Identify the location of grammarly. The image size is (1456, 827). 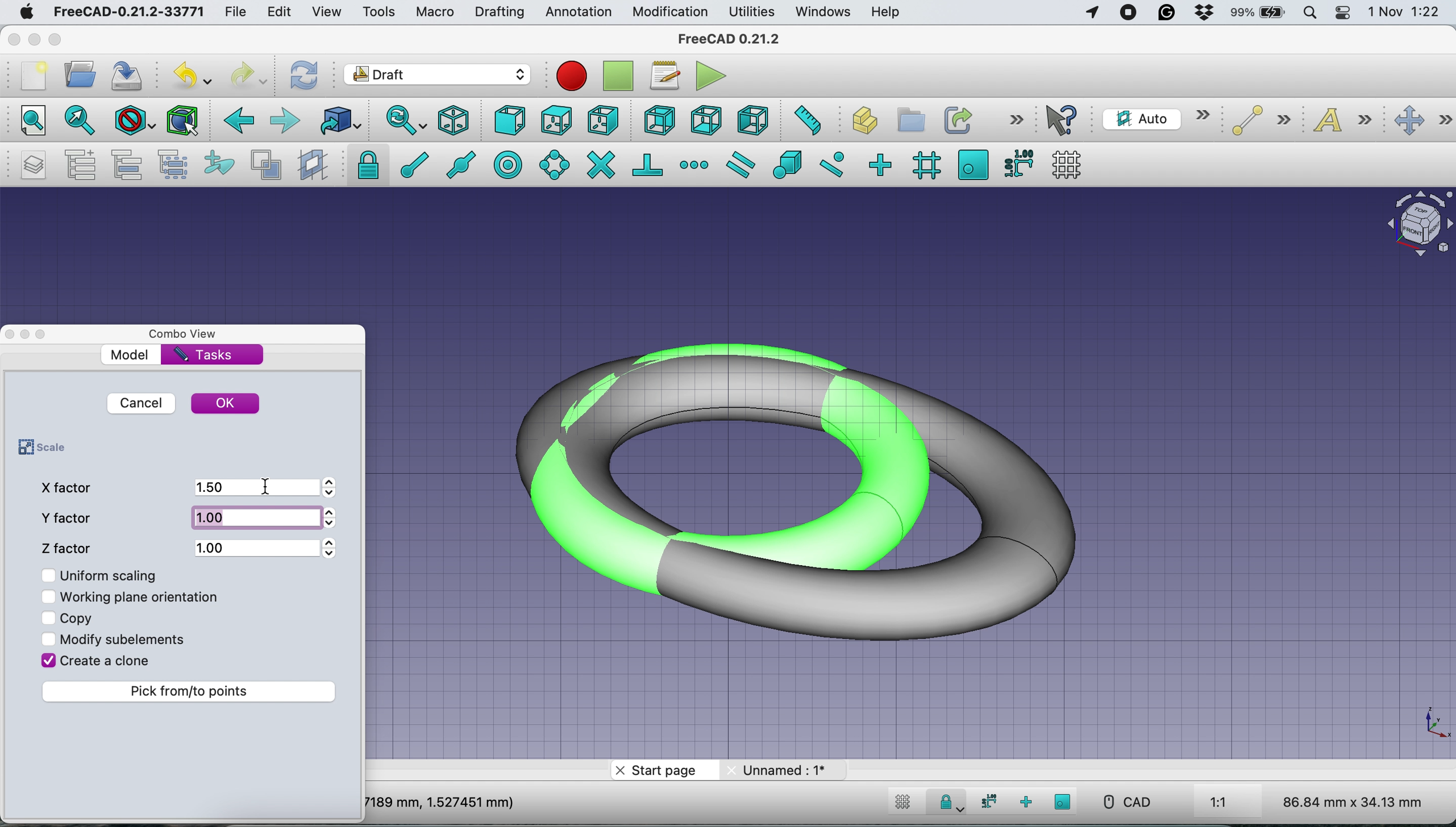
(1165, 12).